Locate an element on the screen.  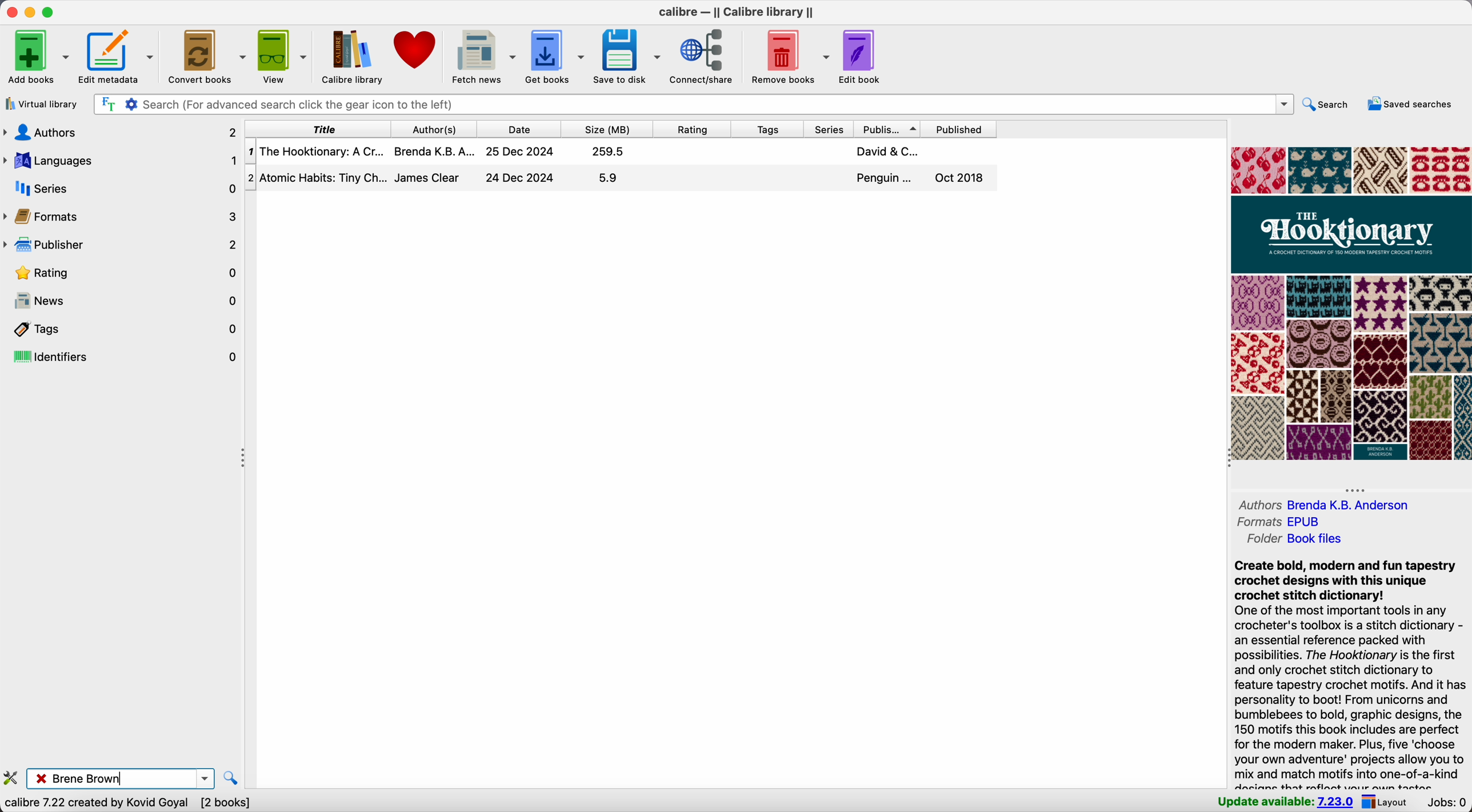
configure is located at coordinates (12, 778).